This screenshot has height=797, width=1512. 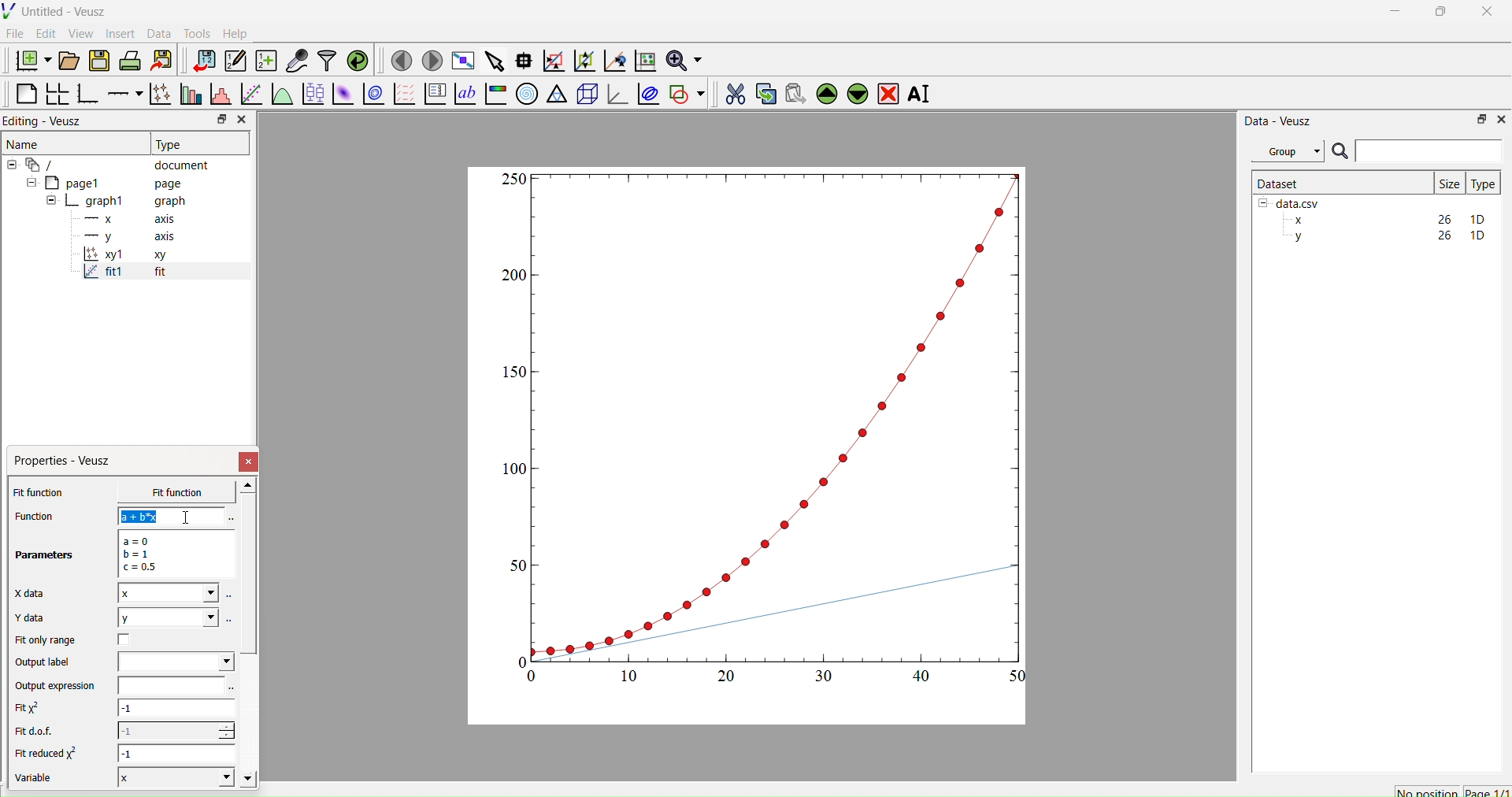 I want to click on Up, so click(x=825, y=91).